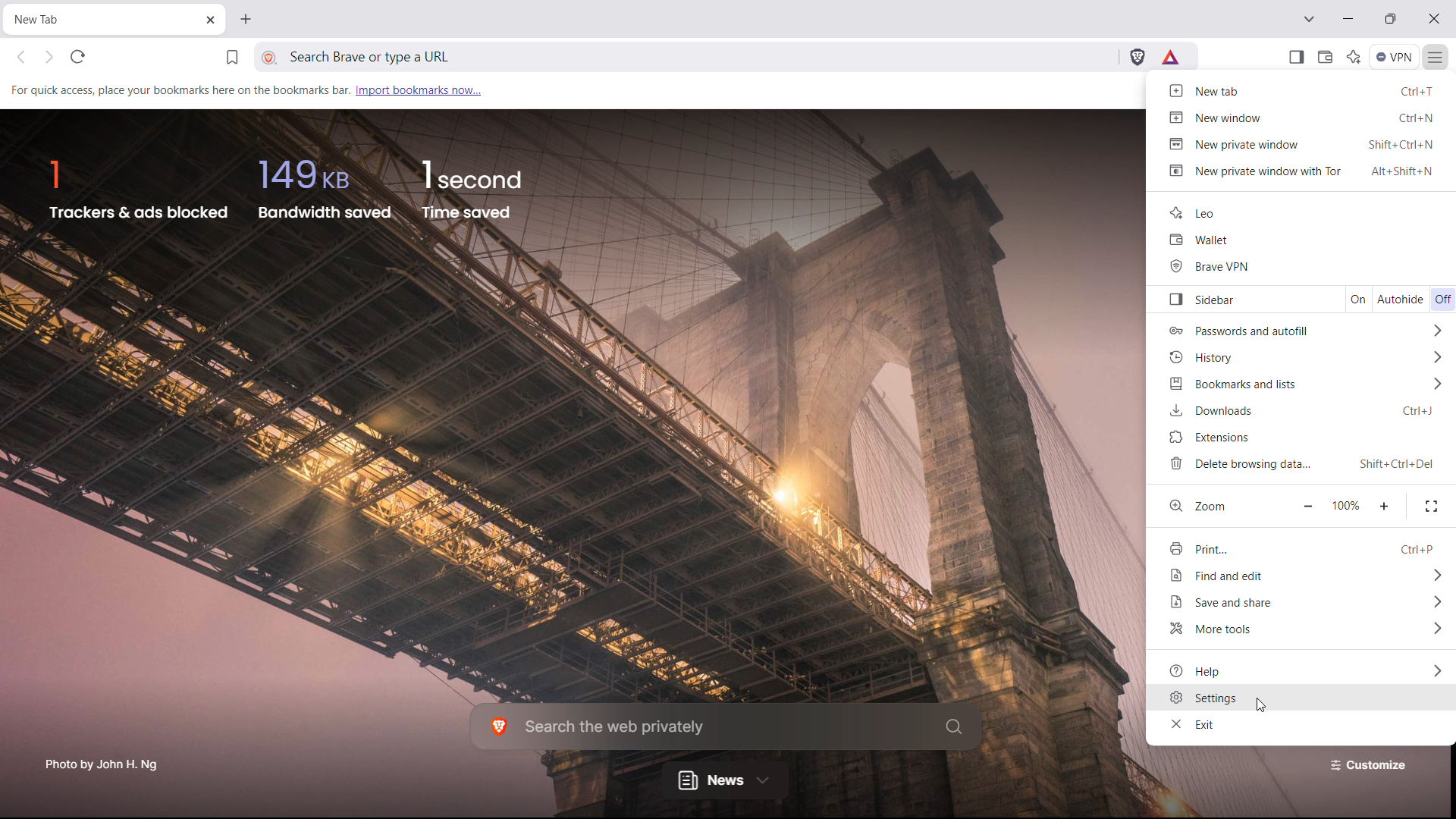  What do you see at coordinates (138, 186) in the screenshot?
I see `1 trackers and ads blocked` at bounding box center [138, 186].